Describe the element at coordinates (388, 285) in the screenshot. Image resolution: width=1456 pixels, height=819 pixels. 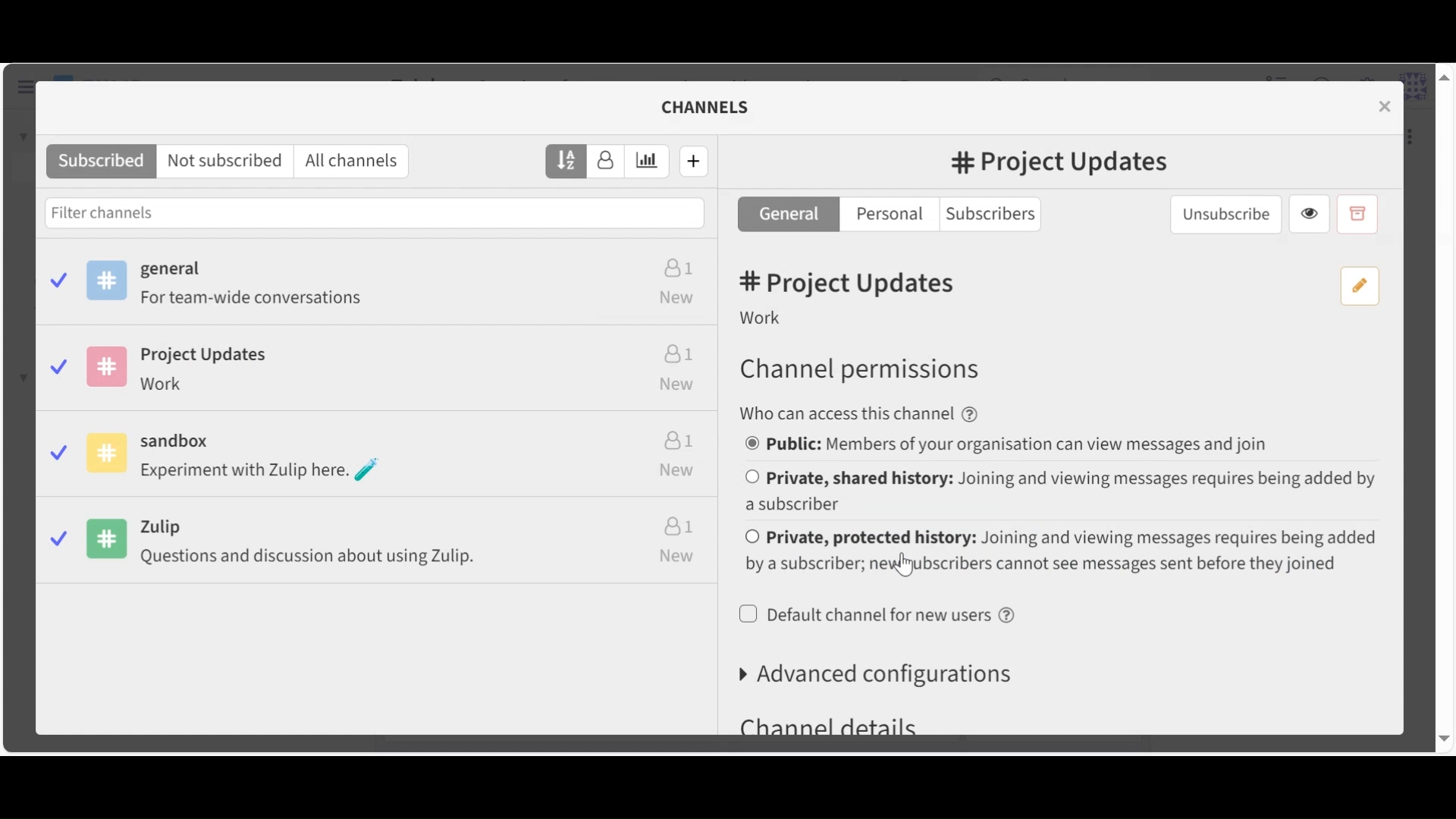
I see `general` at that location.